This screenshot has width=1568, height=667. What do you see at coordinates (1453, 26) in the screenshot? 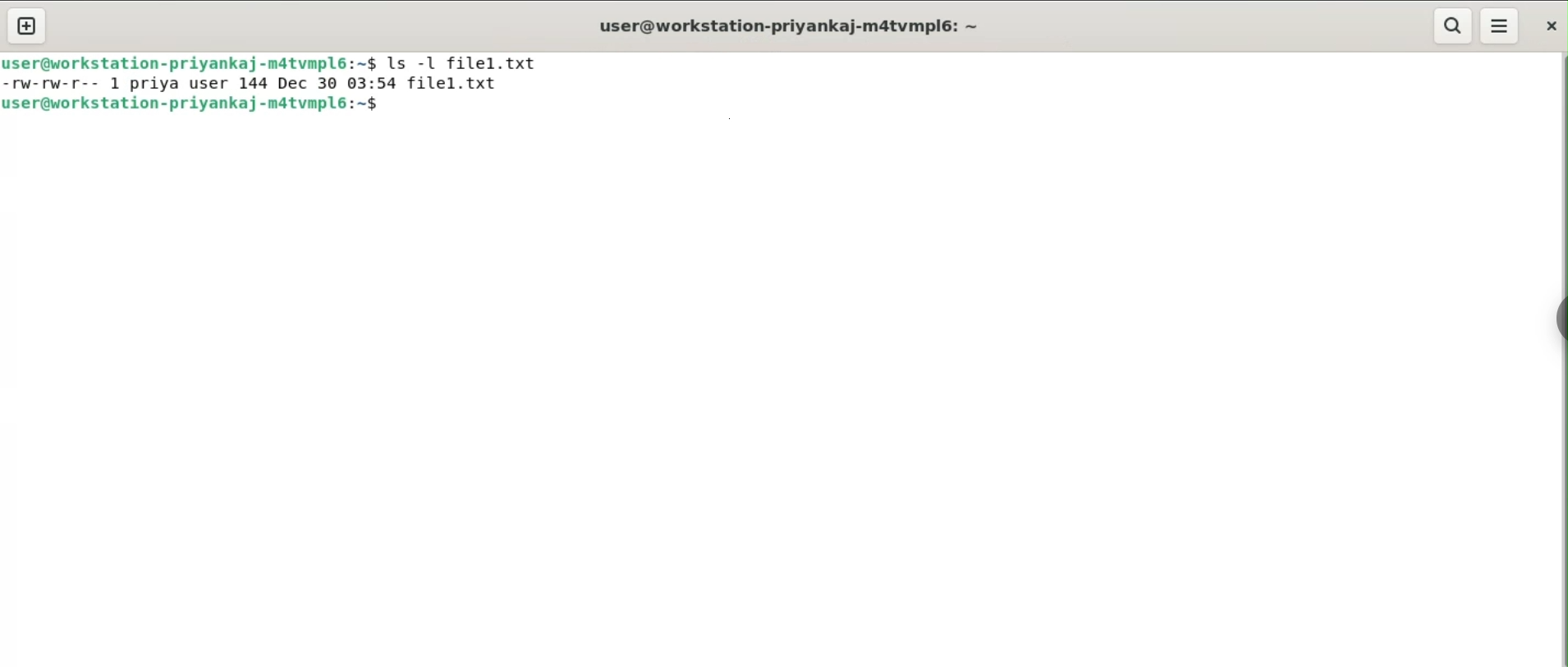
I see `search` at bounding box center [1453, 26].